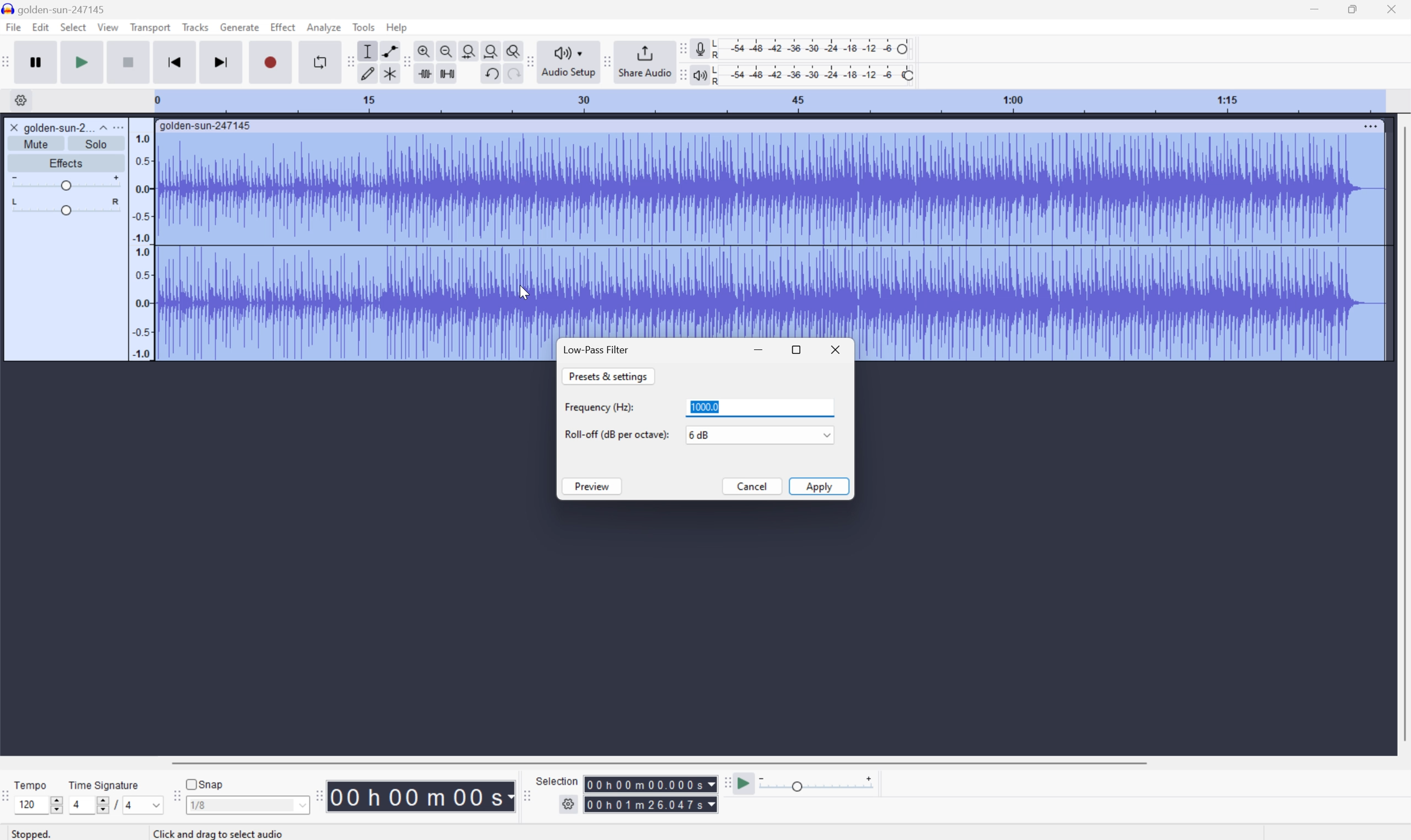 This screenshot has height=840, width=1411. Describe the element at coordinates (700, 48) in the screenshot. I see `Record meter` at that location.